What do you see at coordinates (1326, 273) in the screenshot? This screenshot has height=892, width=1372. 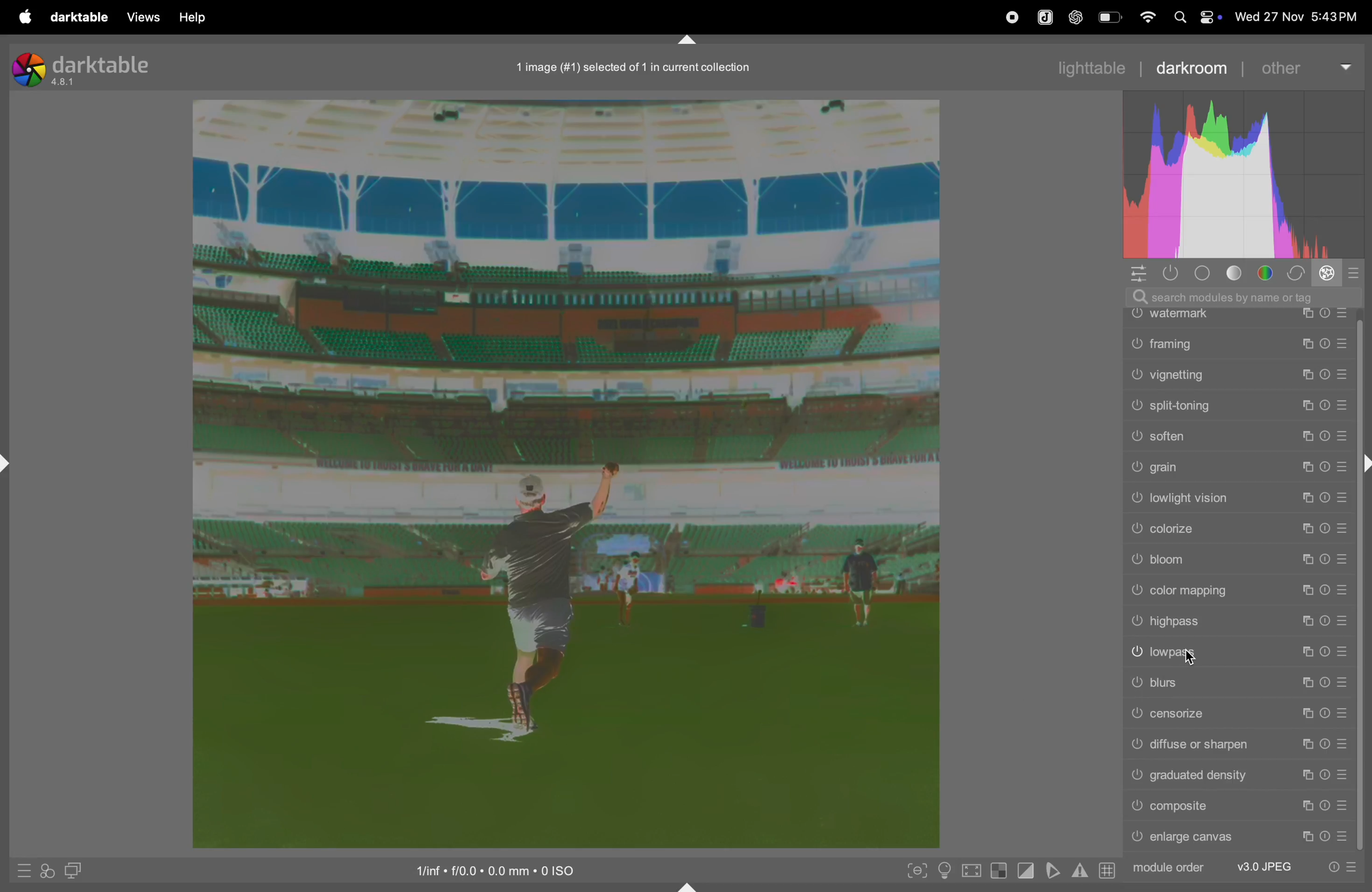 I see `effect` at bounding box center [1326, 273].